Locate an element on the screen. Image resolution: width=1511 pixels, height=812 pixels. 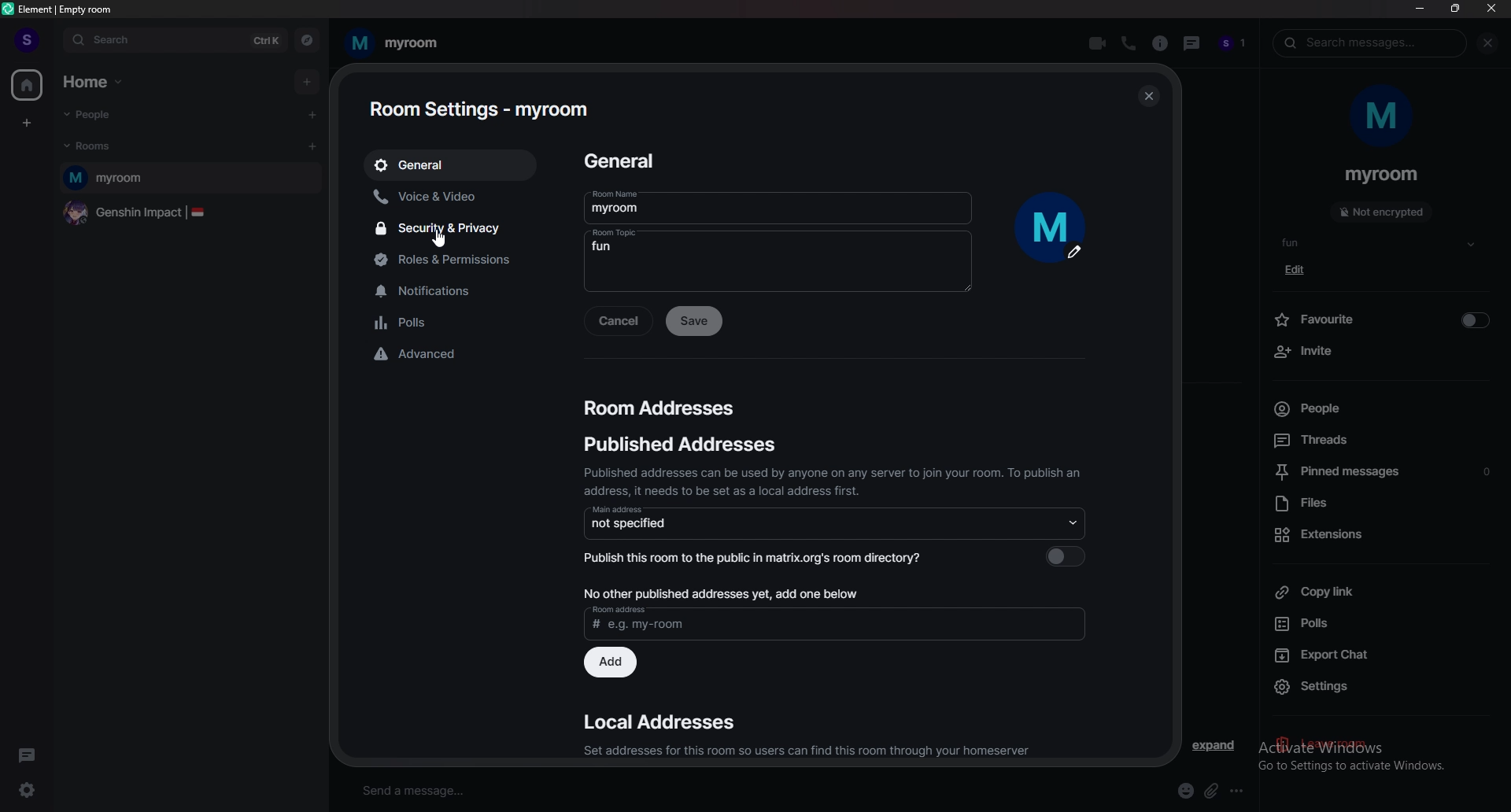
room address # e.g - my-room is located at coordinates (836, 623).